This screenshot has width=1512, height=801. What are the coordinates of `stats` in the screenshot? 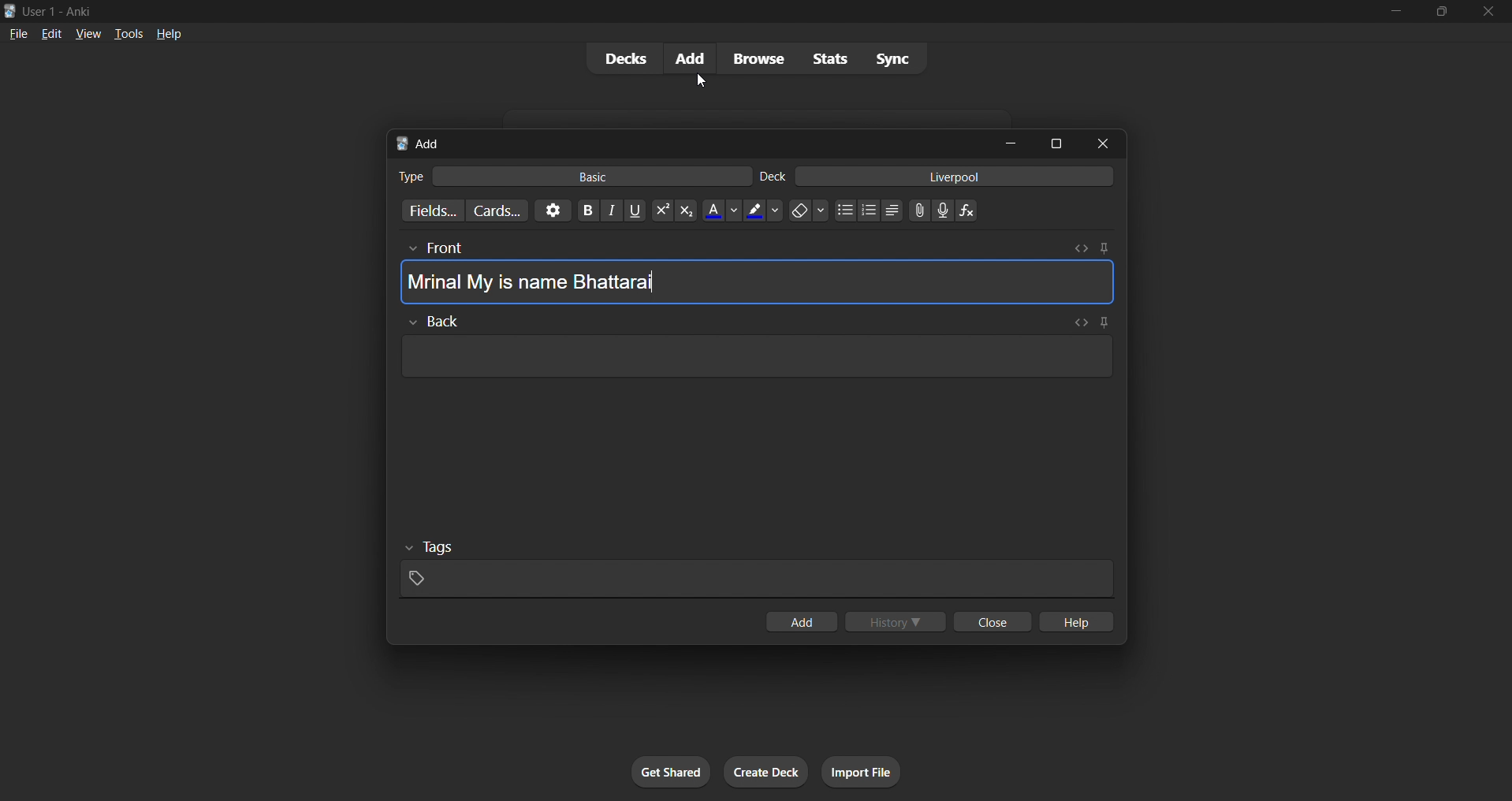 It's located at (824, 58).